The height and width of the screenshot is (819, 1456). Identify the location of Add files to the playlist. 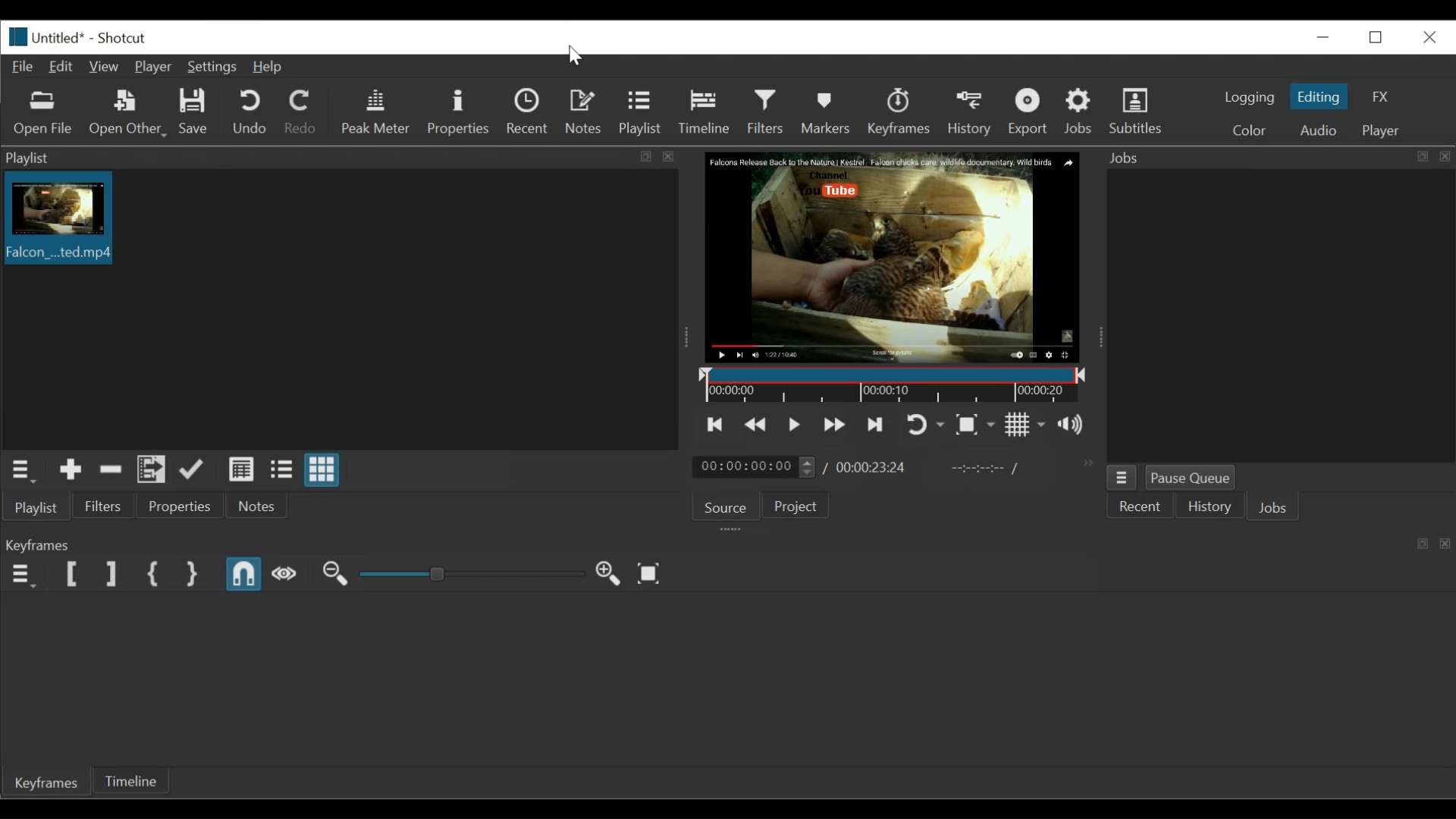
(151, 472).